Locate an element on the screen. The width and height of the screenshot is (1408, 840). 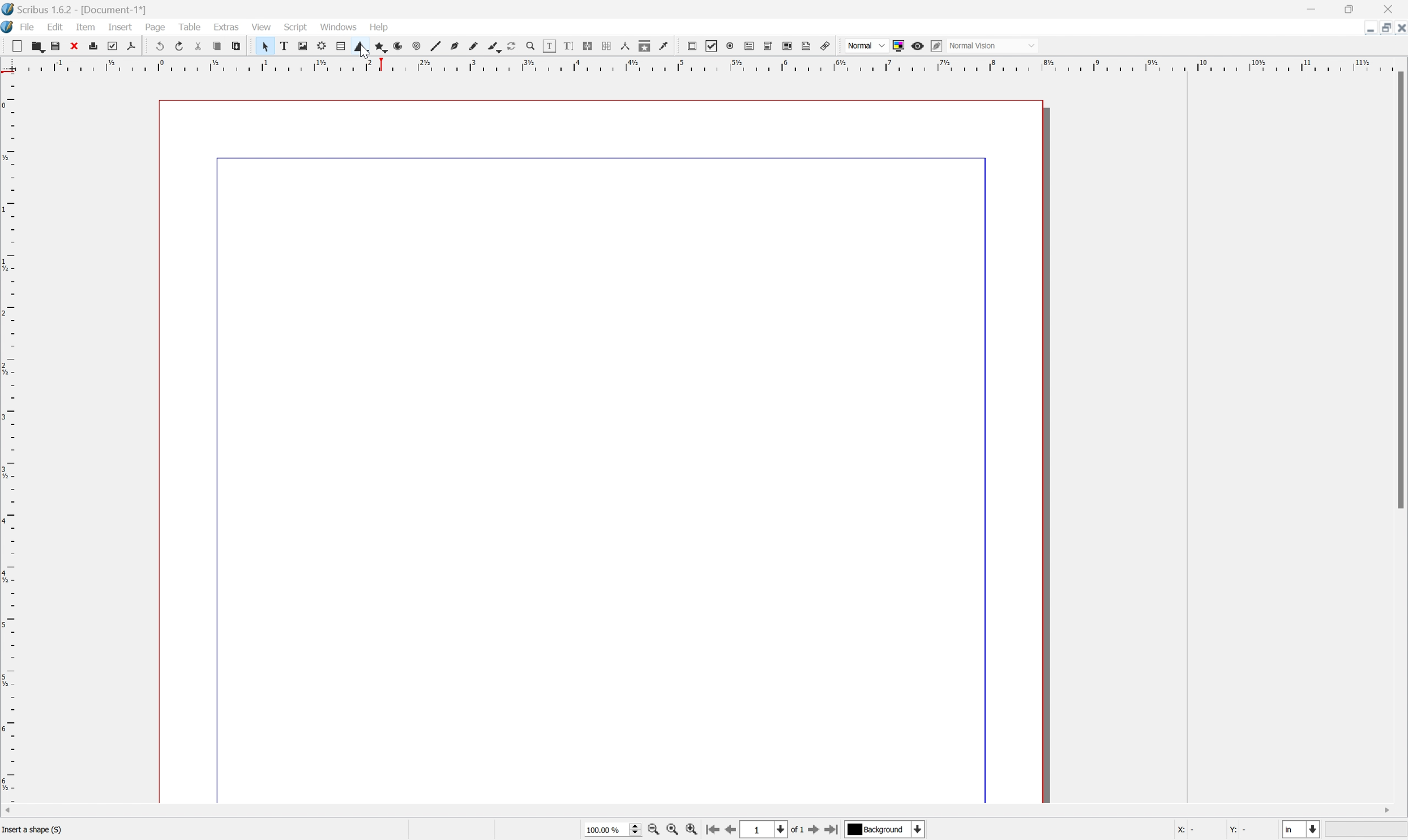
Table is located at coordinates (190, 27).